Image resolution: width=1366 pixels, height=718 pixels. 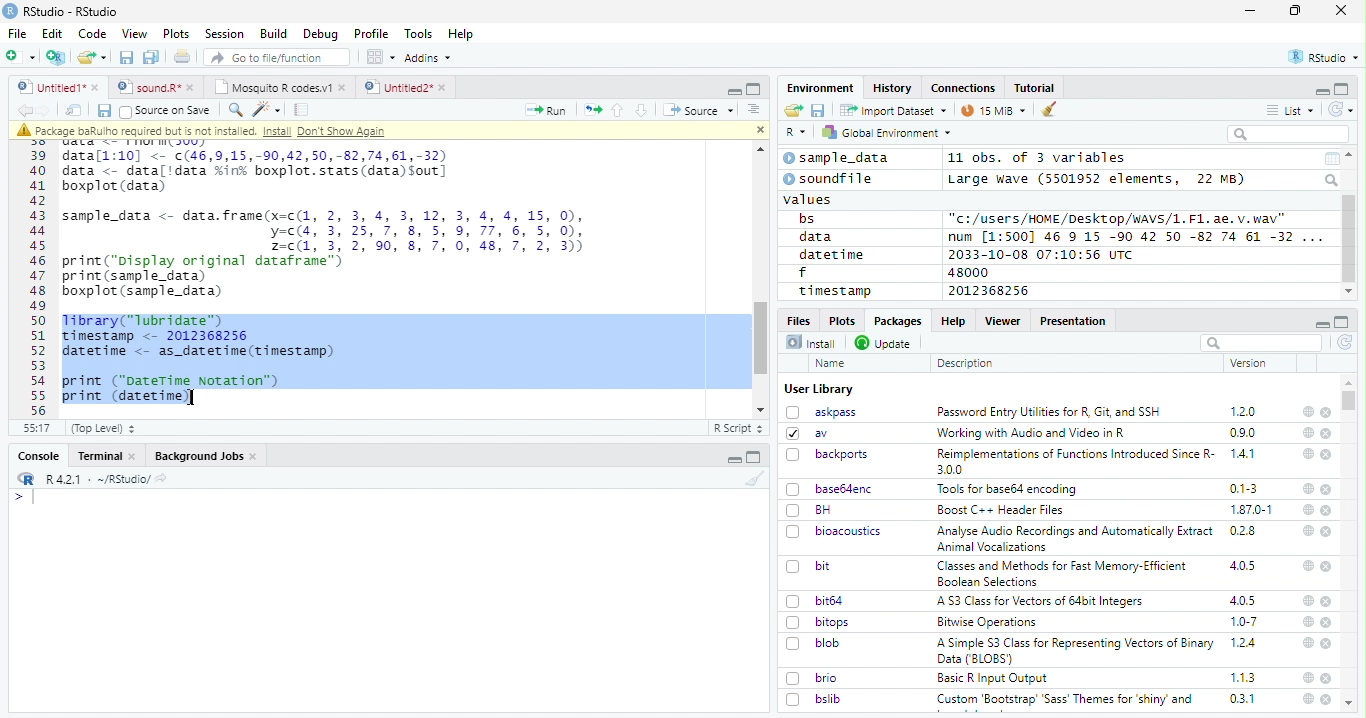 I want to click on help, so click(x=1308, y=677).